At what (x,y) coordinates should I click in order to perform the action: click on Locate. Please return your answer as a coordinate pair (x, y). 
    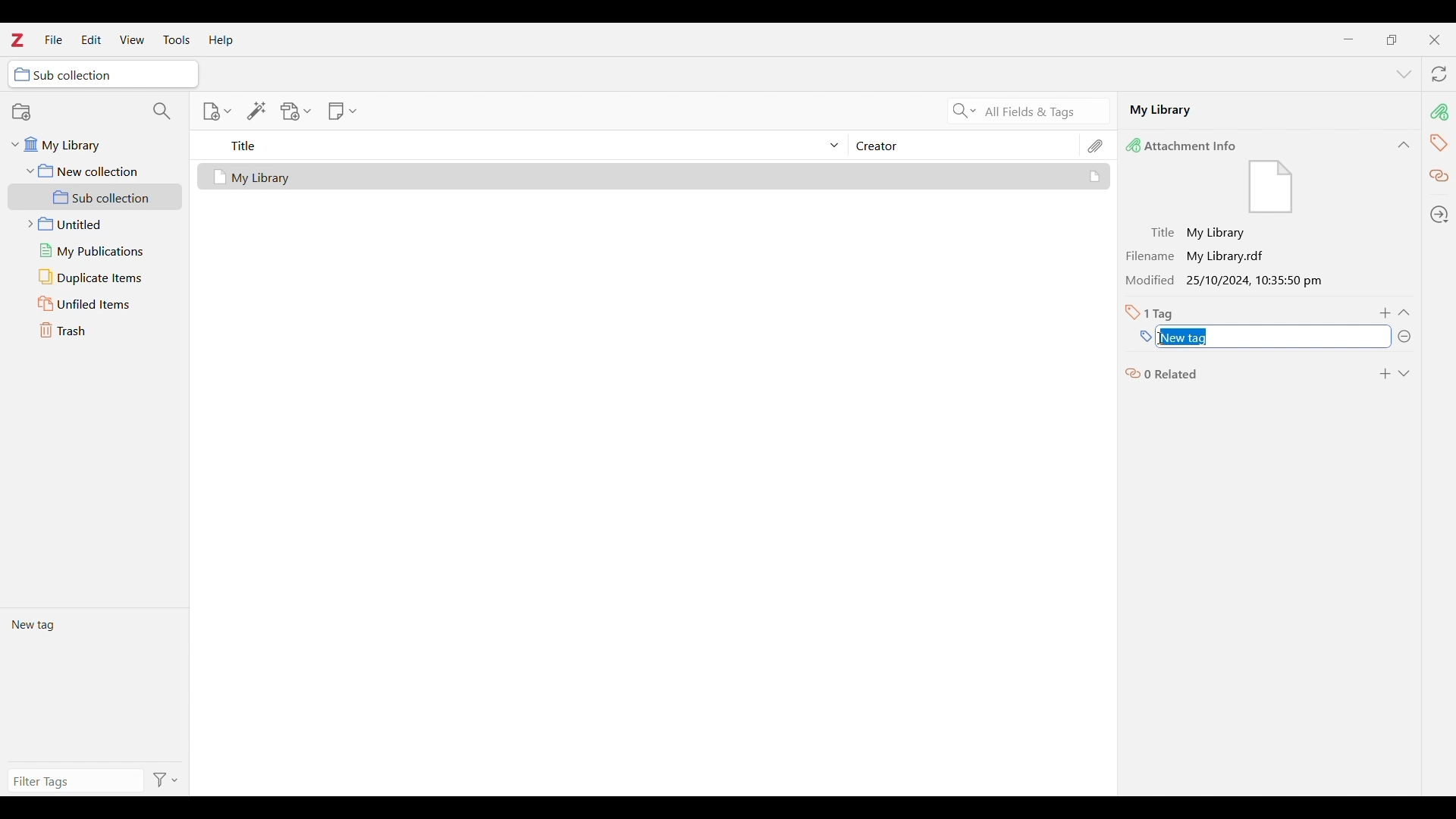
    Looking at the image, I should click on (1439, 215).